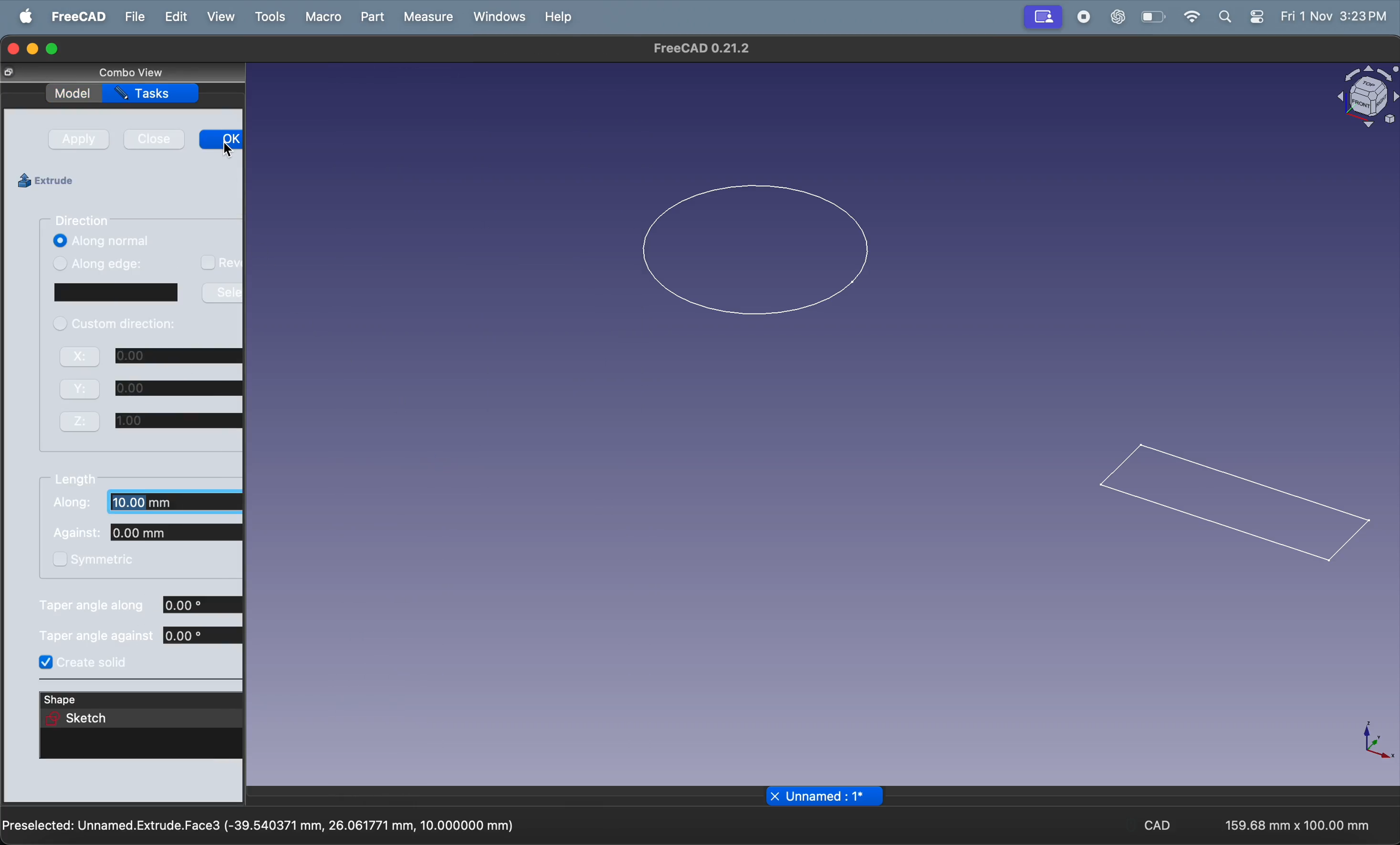 This screenshot has width=1400, height=845. I want to click on Y:, so click(79, 390).